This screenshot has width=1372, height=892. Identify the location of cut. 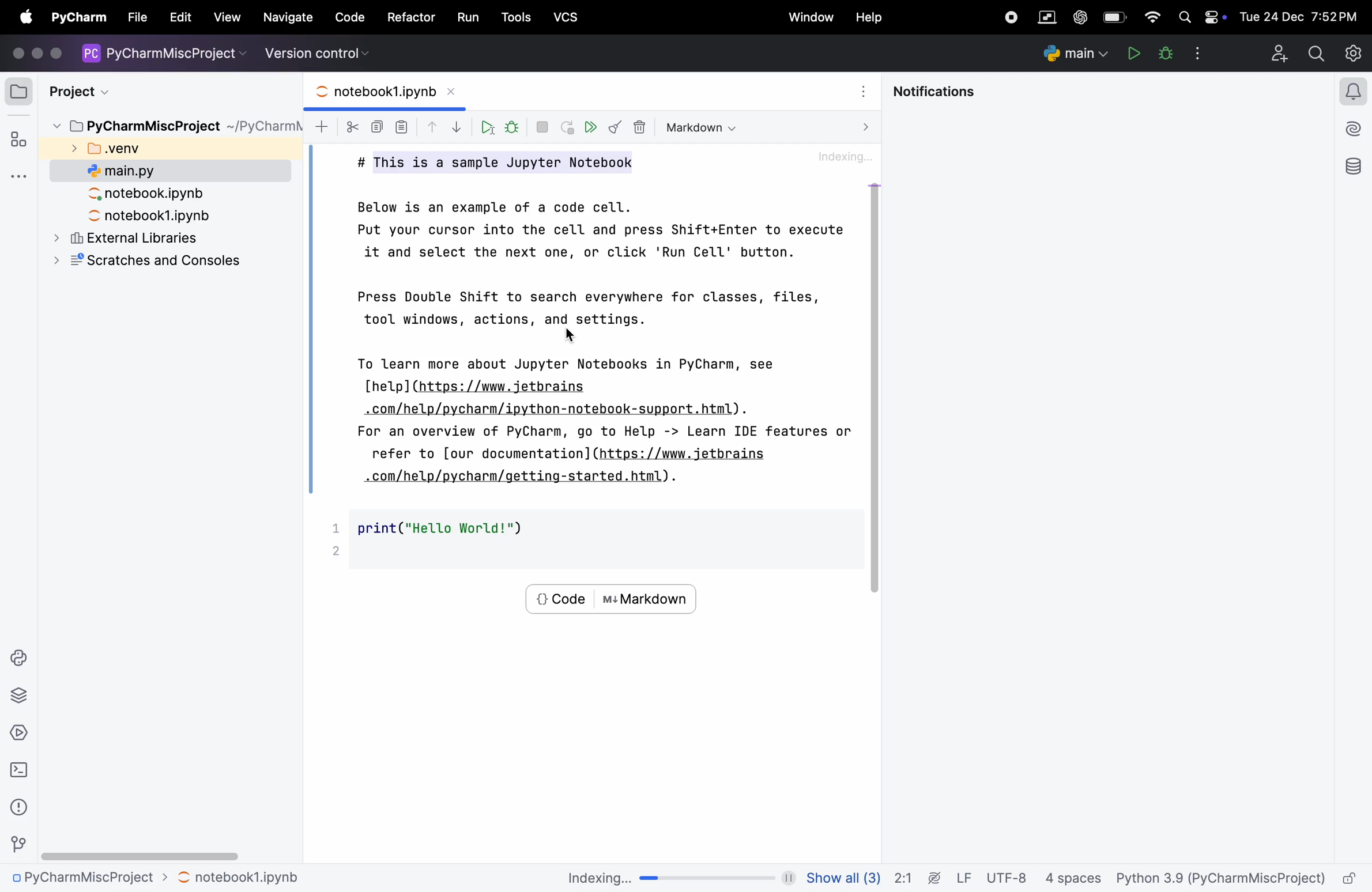
(355, 128).